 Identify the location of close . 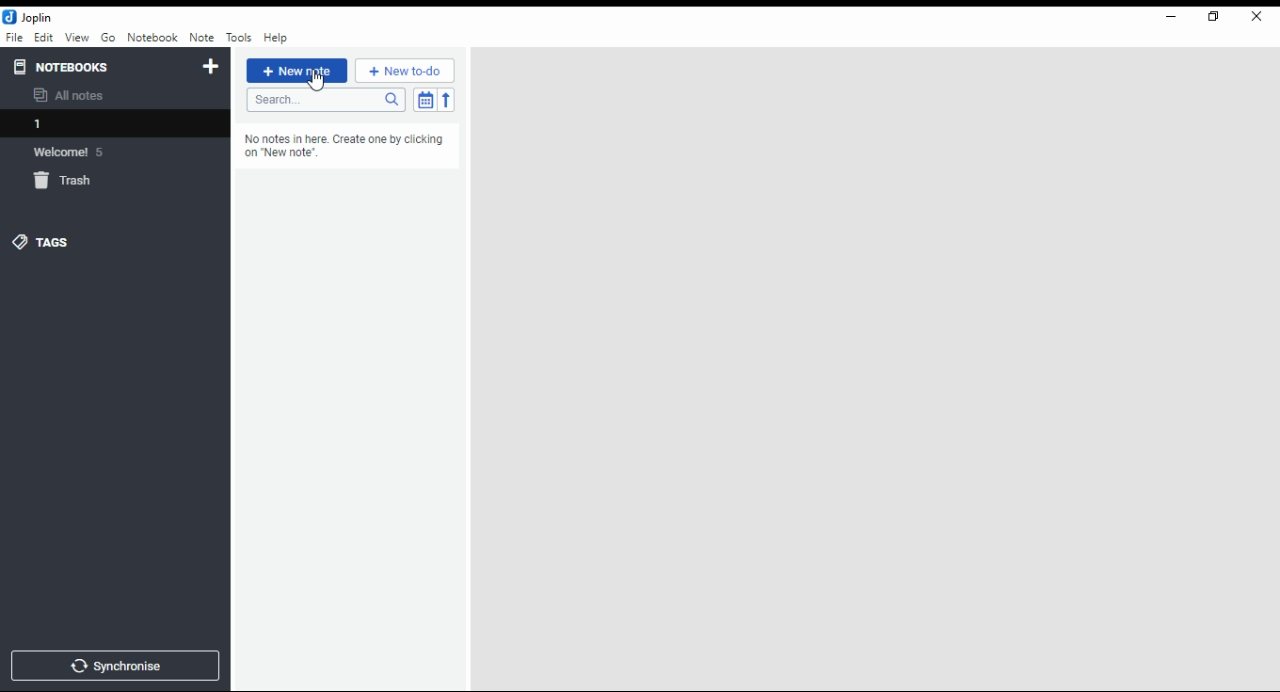
(1256, 17).